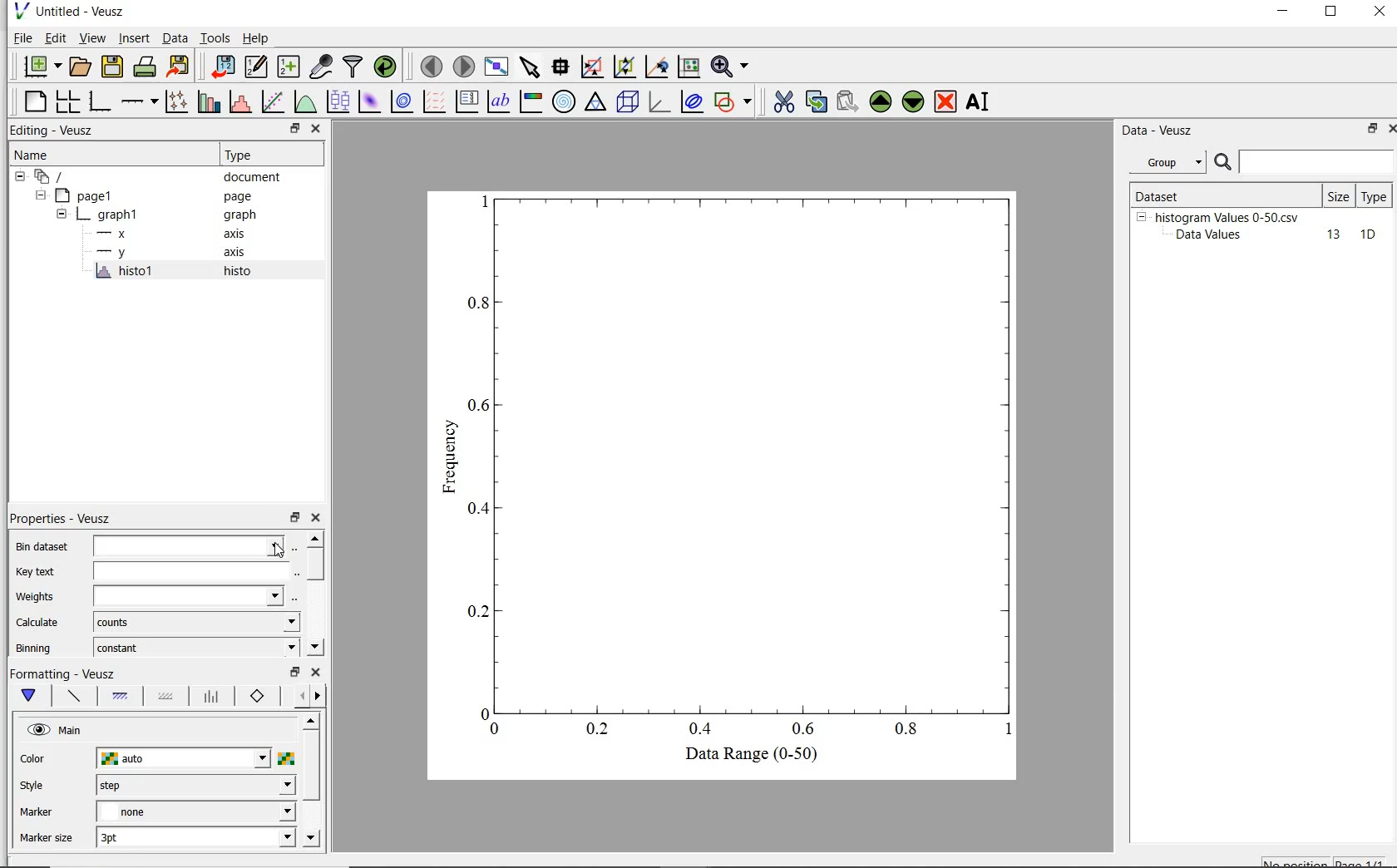 The image size is (1397, 868). What do you see at coordinates (246, 197) in the screenshot?
I see `page` at bounding box center [246, 197].